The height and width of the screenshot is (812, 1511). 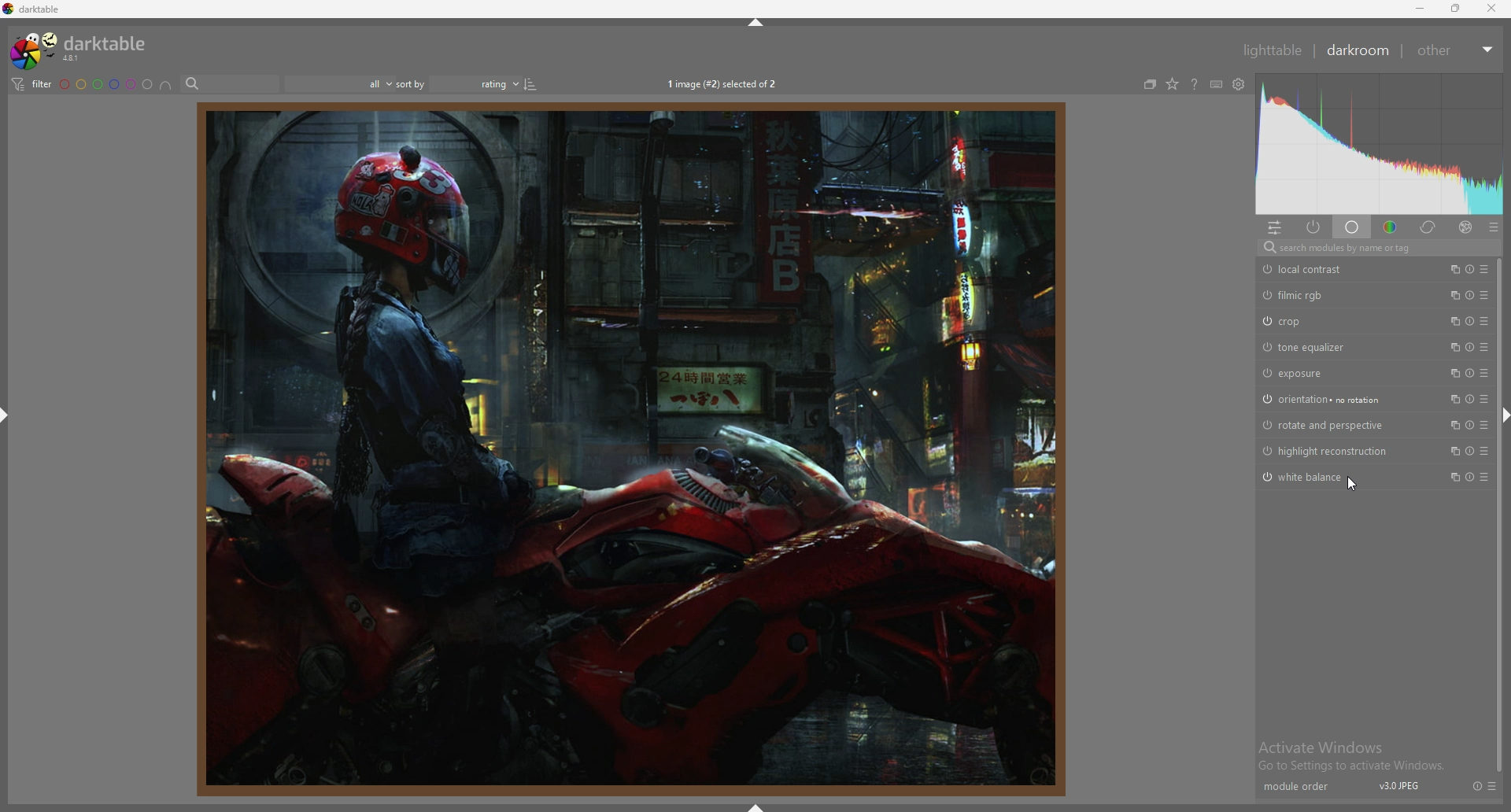 I want to click on cursor, so click(x=1354, y=483).